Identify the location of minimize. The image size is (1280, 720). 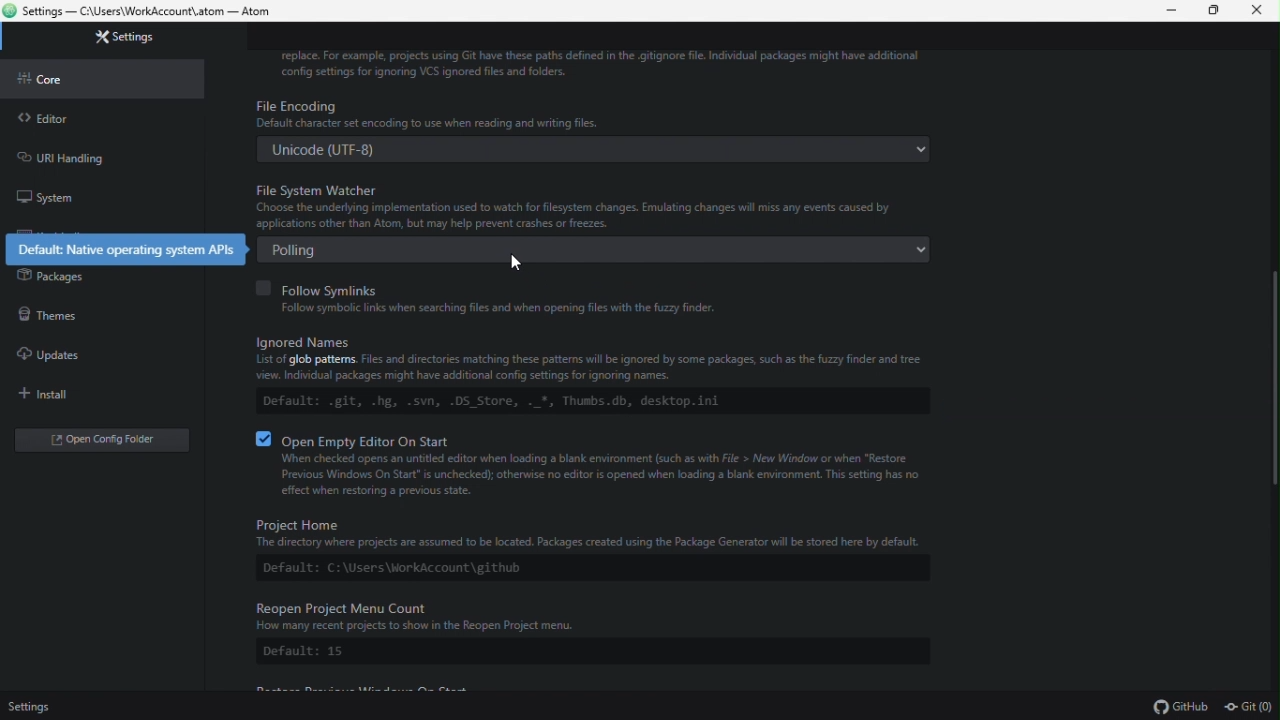
(1162, 11).